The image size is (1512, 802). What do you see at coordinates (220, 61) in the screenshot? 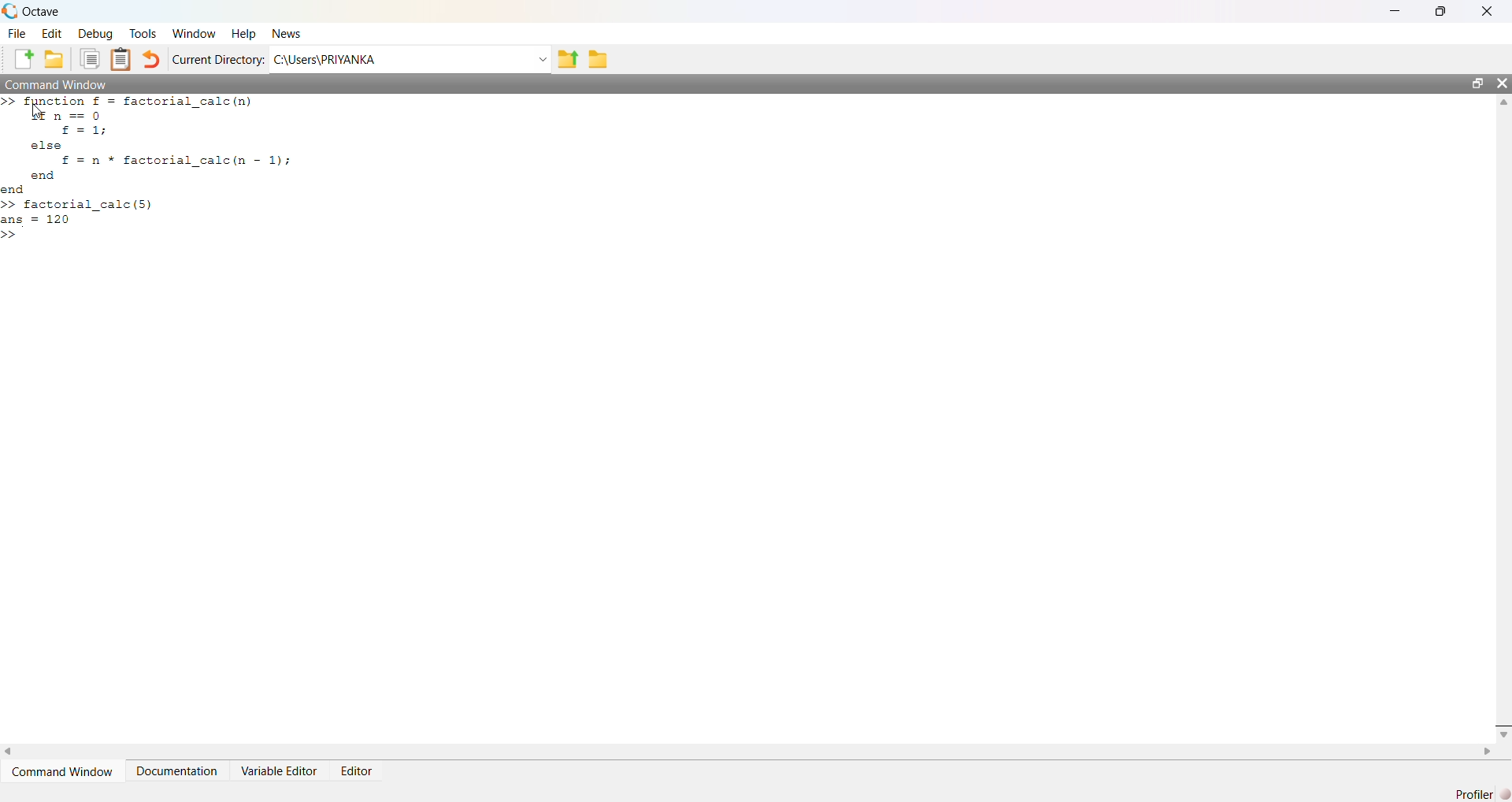
I see `Current Directory:` at bounding box center [220, 61].